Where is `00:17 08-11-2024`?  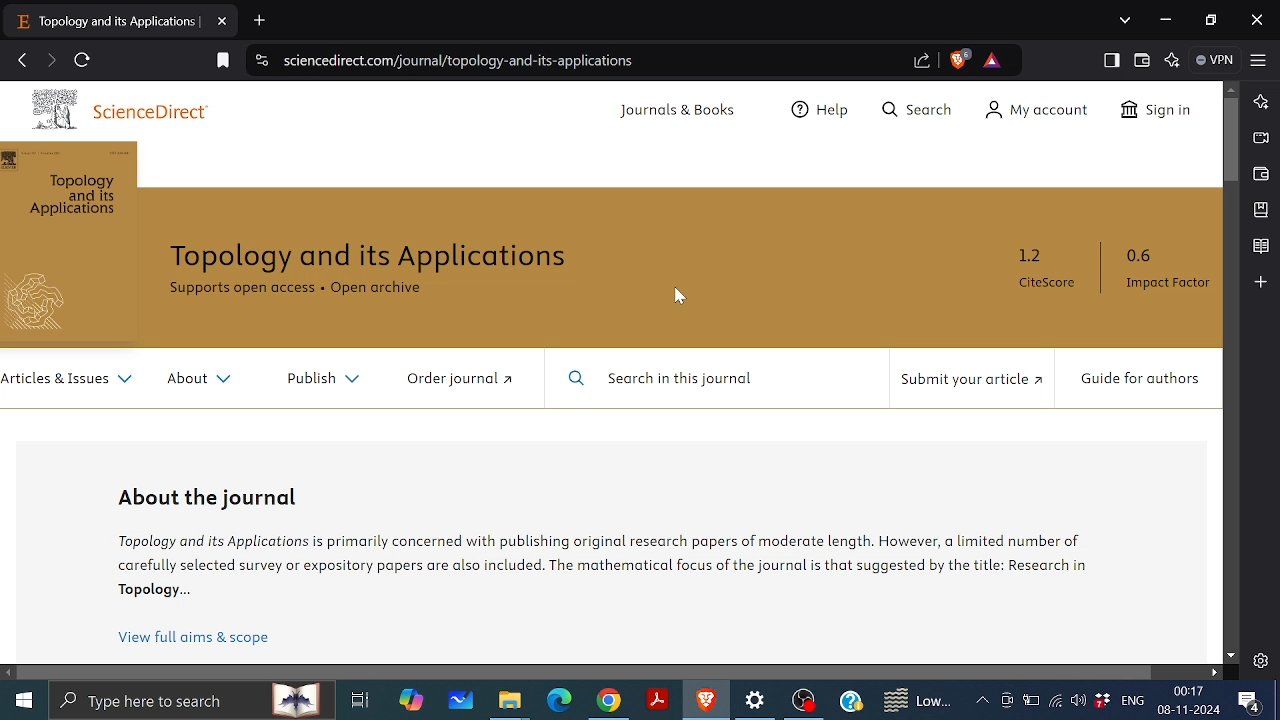 00:17 08-11-2024 is located at coordinates (1188, 700).